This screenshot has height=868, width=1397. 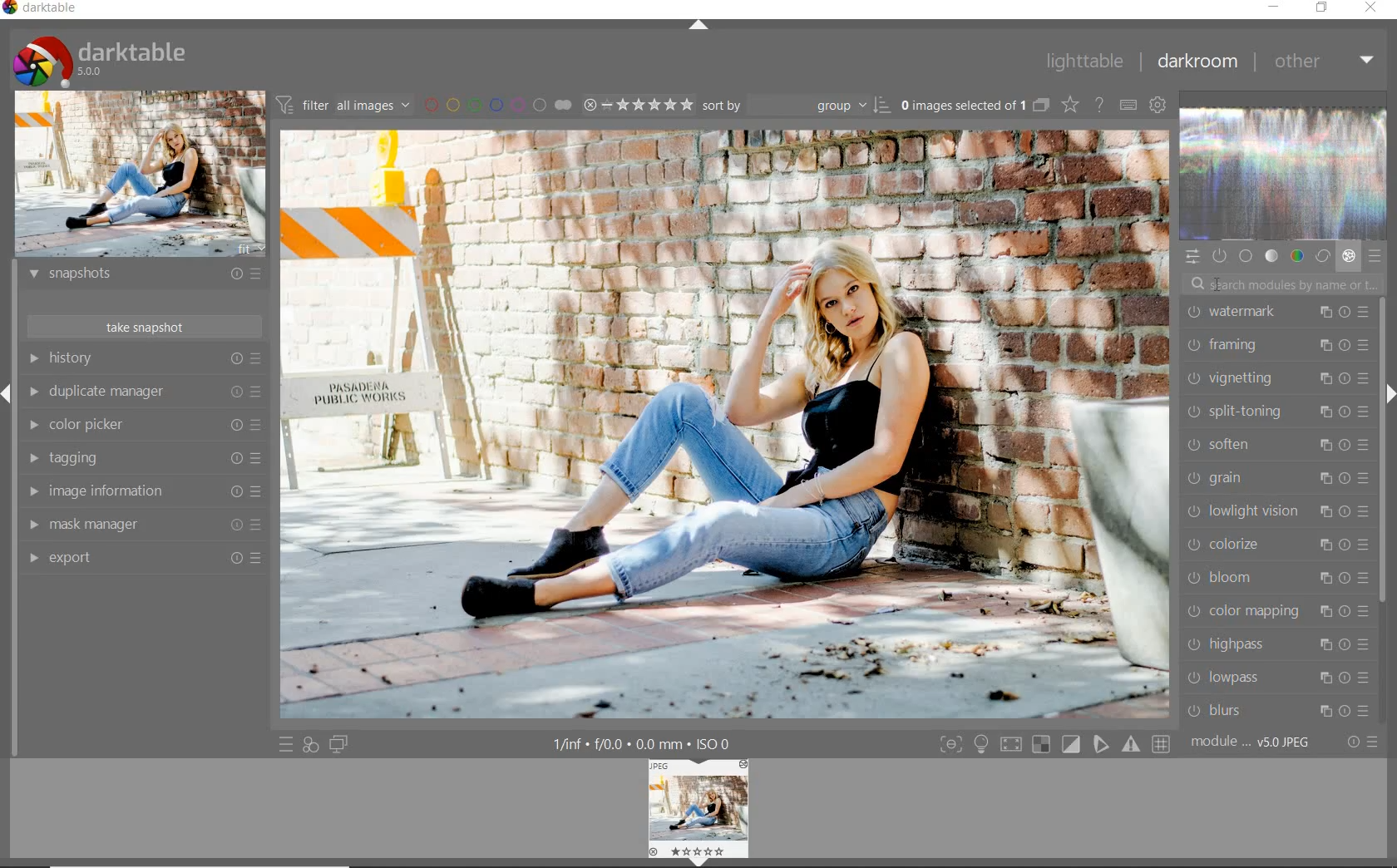 I want to click on show global preferences, so click(x=1159, y=106).